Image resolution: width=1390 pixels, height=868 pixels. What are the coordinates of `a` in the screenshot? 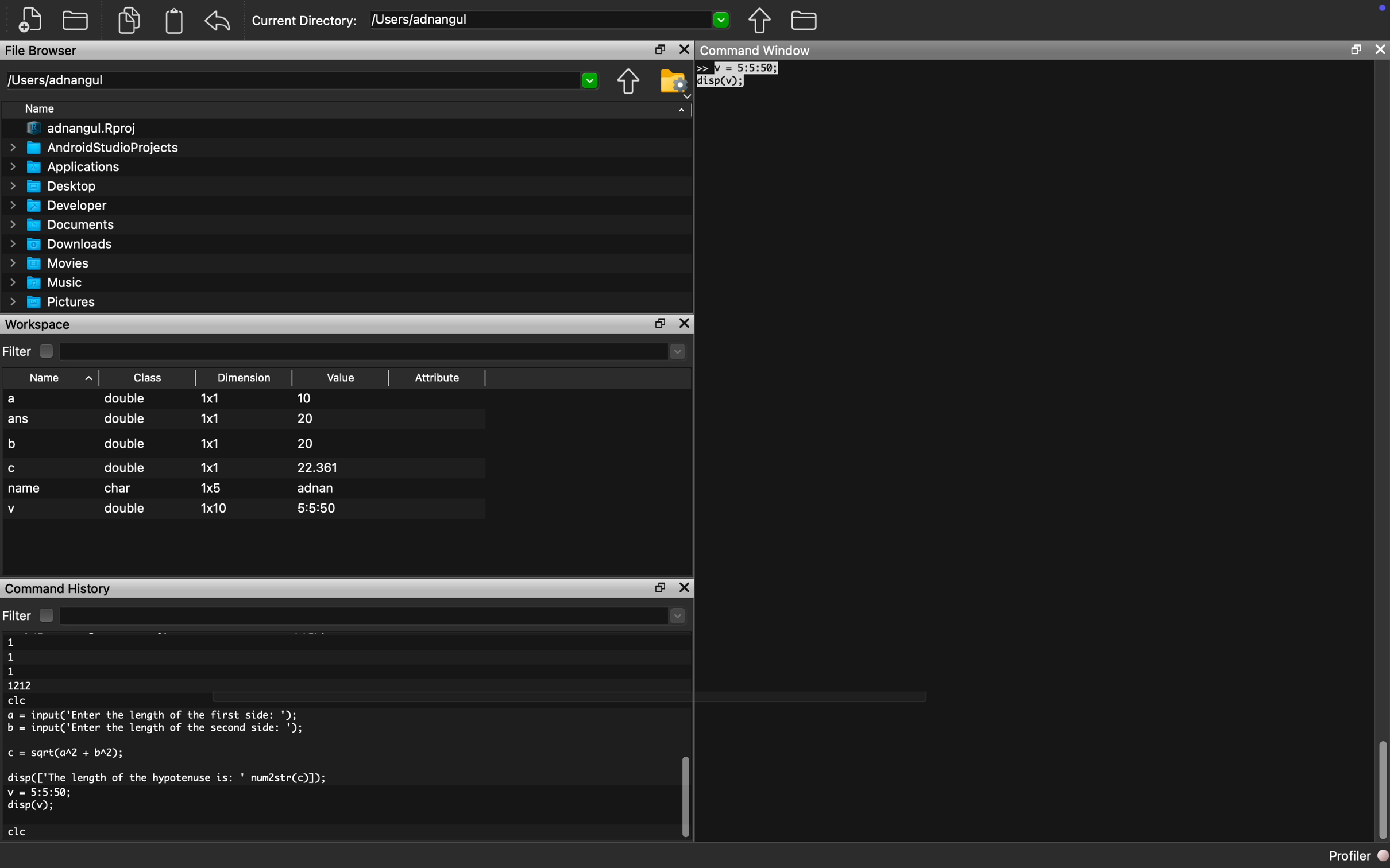 It's located at (13, 399).